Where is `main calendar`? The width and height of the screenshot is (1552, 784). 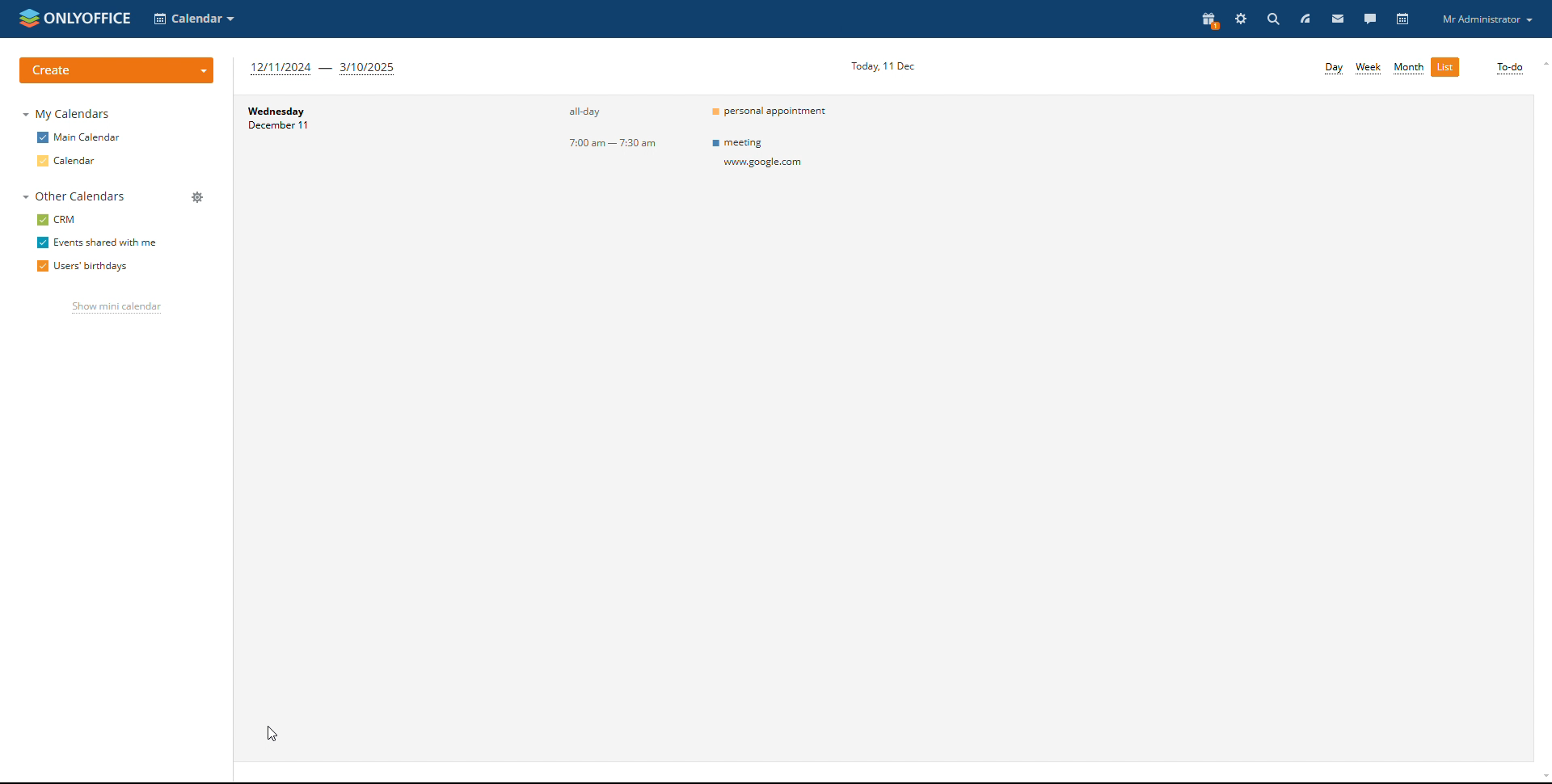
main calendar is located at coordinates (79, 137).